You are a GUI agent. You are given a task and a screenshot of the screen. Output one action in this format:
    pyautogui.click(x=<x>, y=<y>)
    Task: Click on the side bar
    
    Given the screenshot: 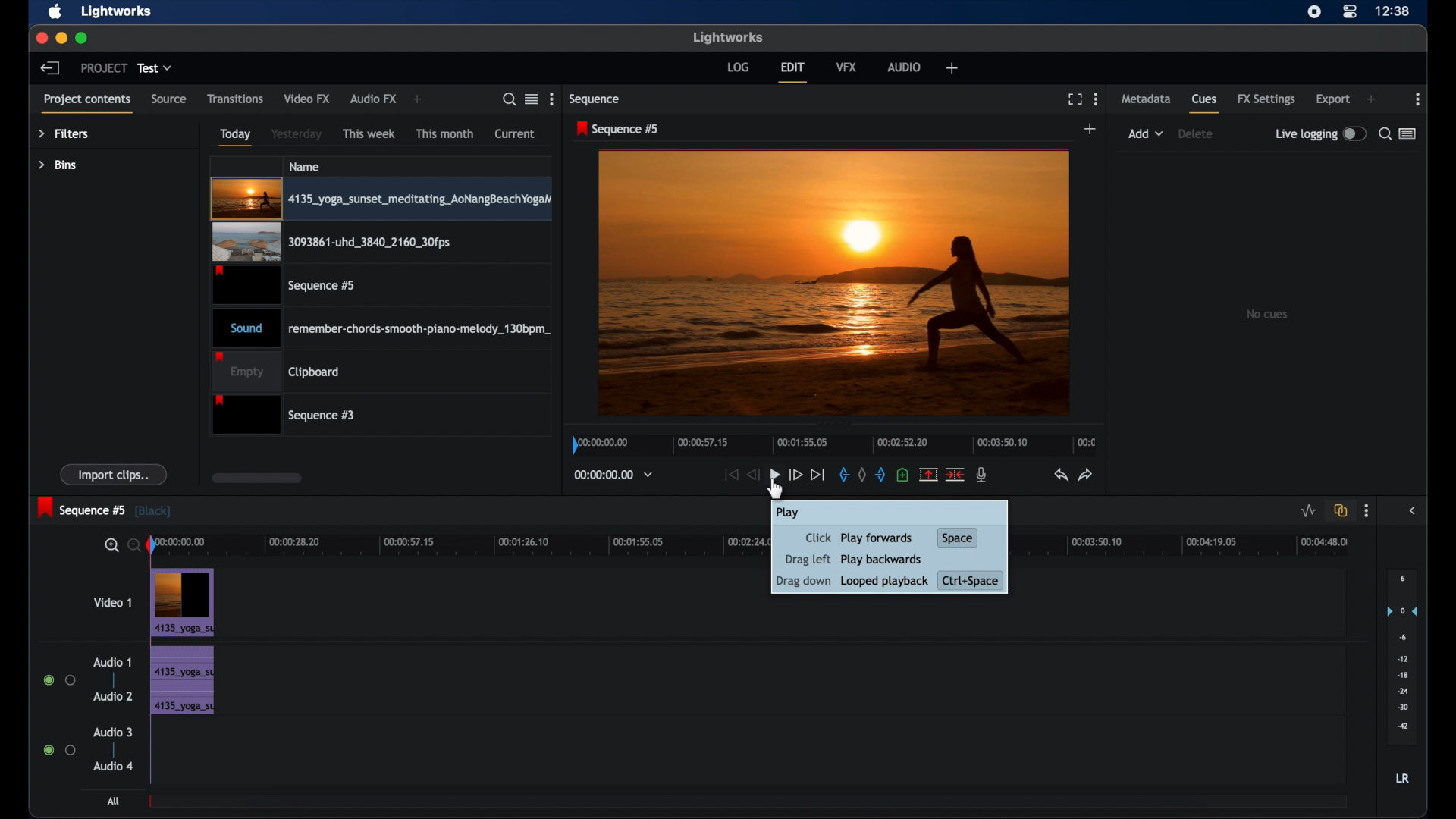 What is the action you would take?
    pyautogui.click(x=1414, y=510)
    